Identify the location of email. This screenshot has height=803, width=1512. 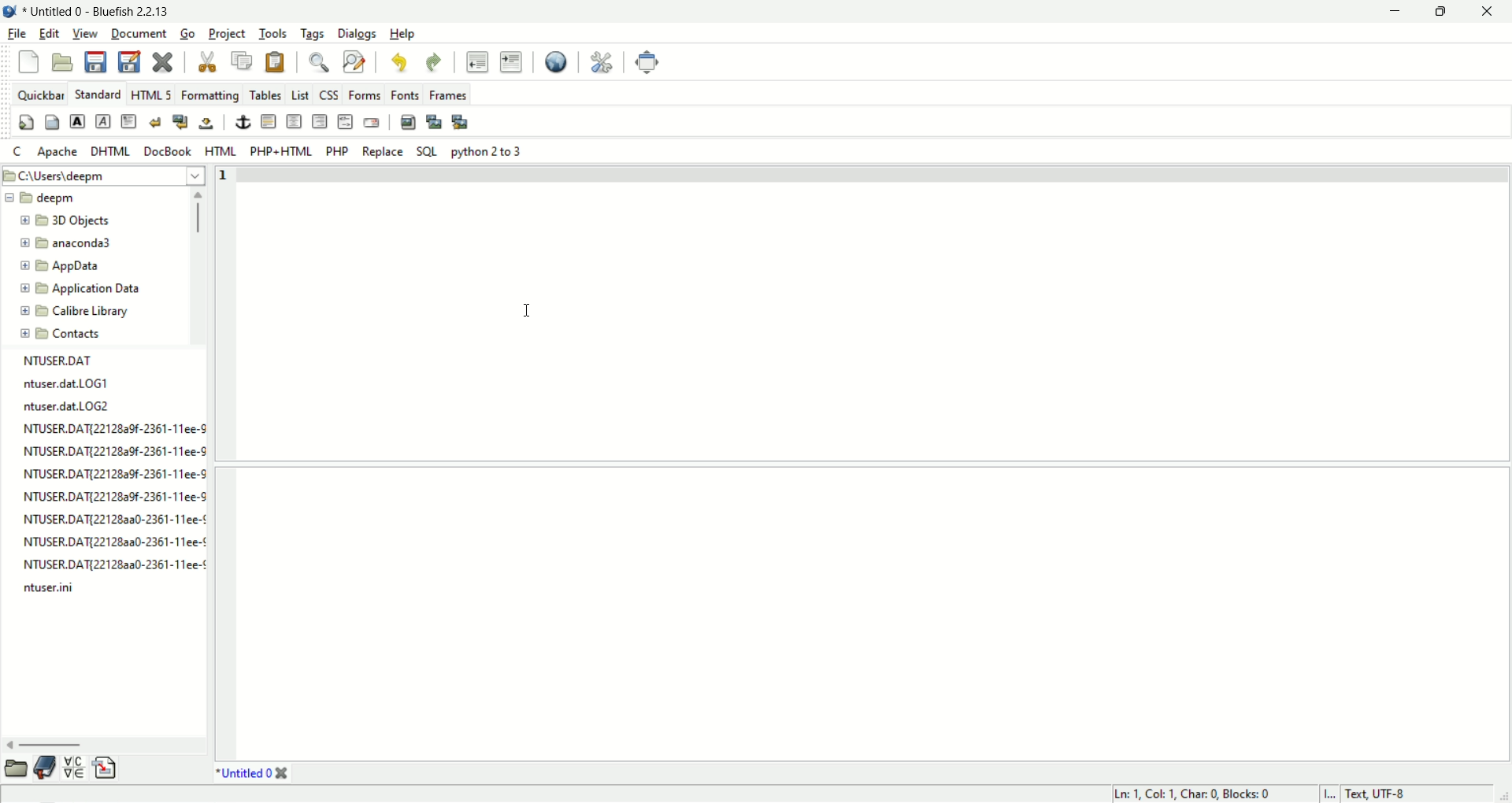
(372, 124).